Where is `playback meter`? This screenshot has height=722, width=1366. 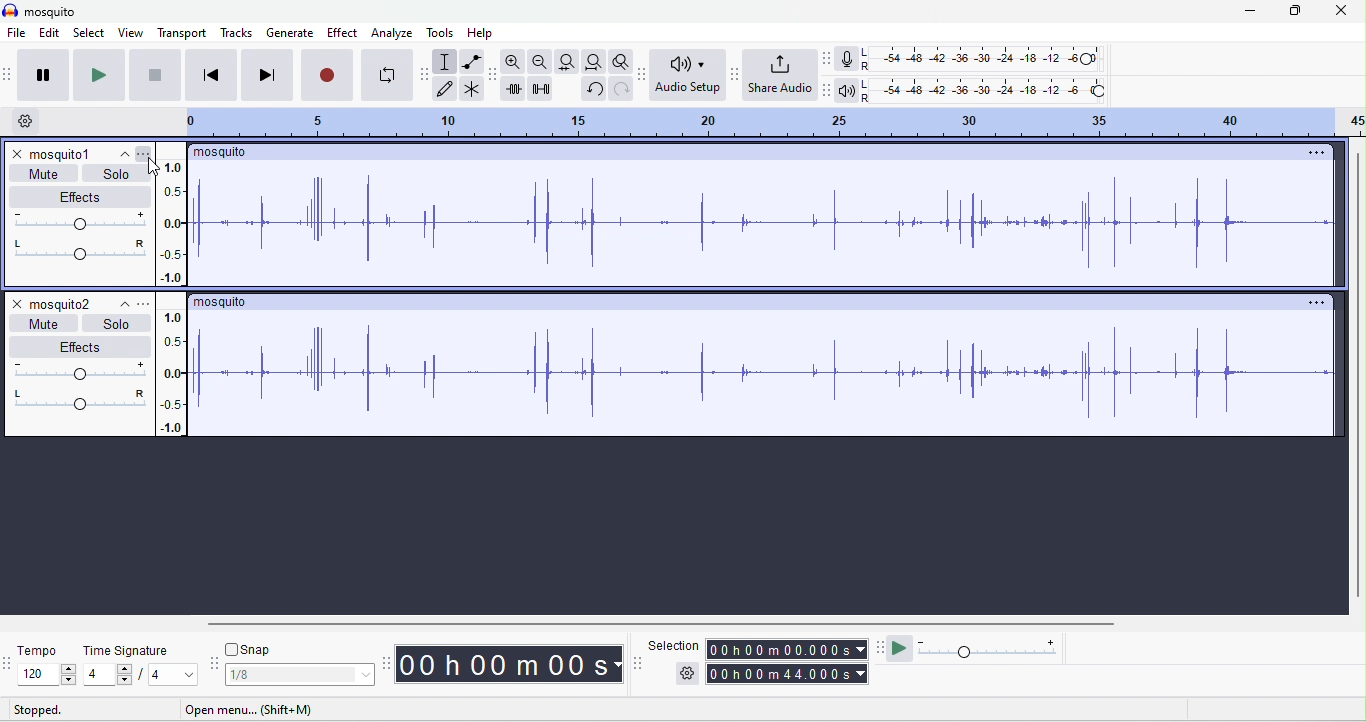
playback meter is located at coordinates (844, 91).